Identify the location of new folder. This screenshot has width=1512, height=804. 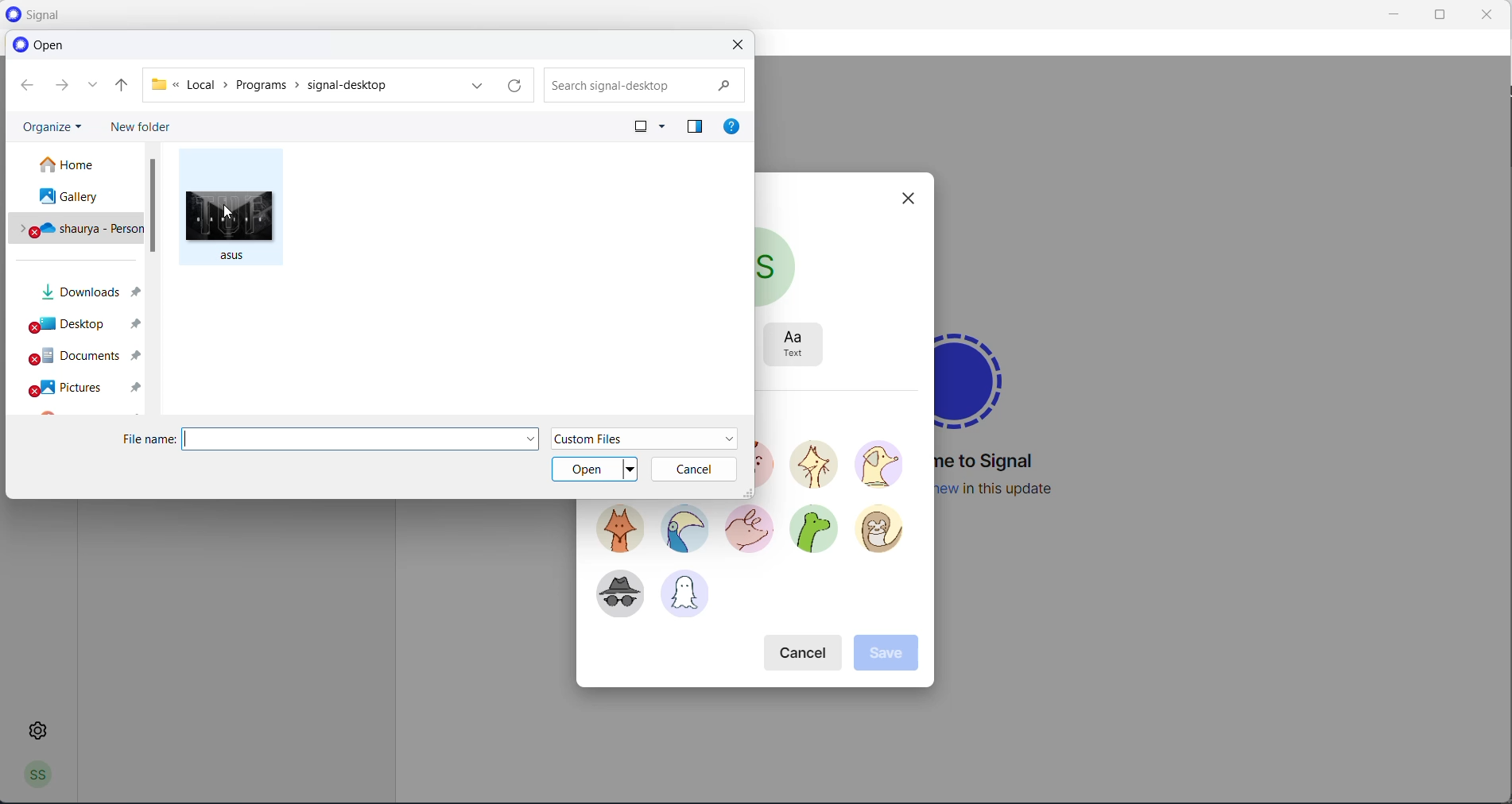
(139, 127).